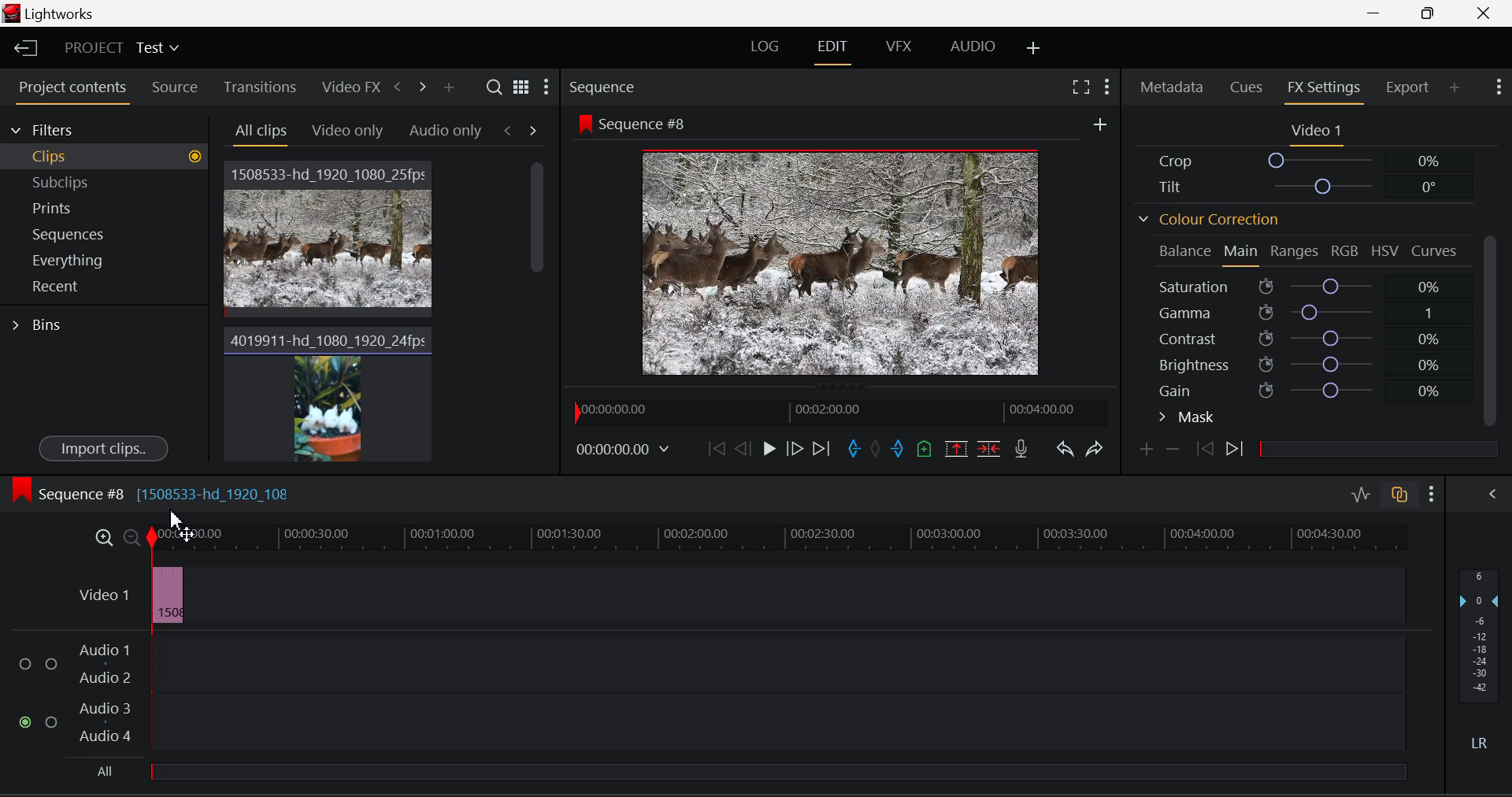 Image resolution: width=1512 pixels, height=797 pixels. What do you see at coordinates (1304, 161) in the screenshot?
I see `Crop` at bounding box center [1304, 161].